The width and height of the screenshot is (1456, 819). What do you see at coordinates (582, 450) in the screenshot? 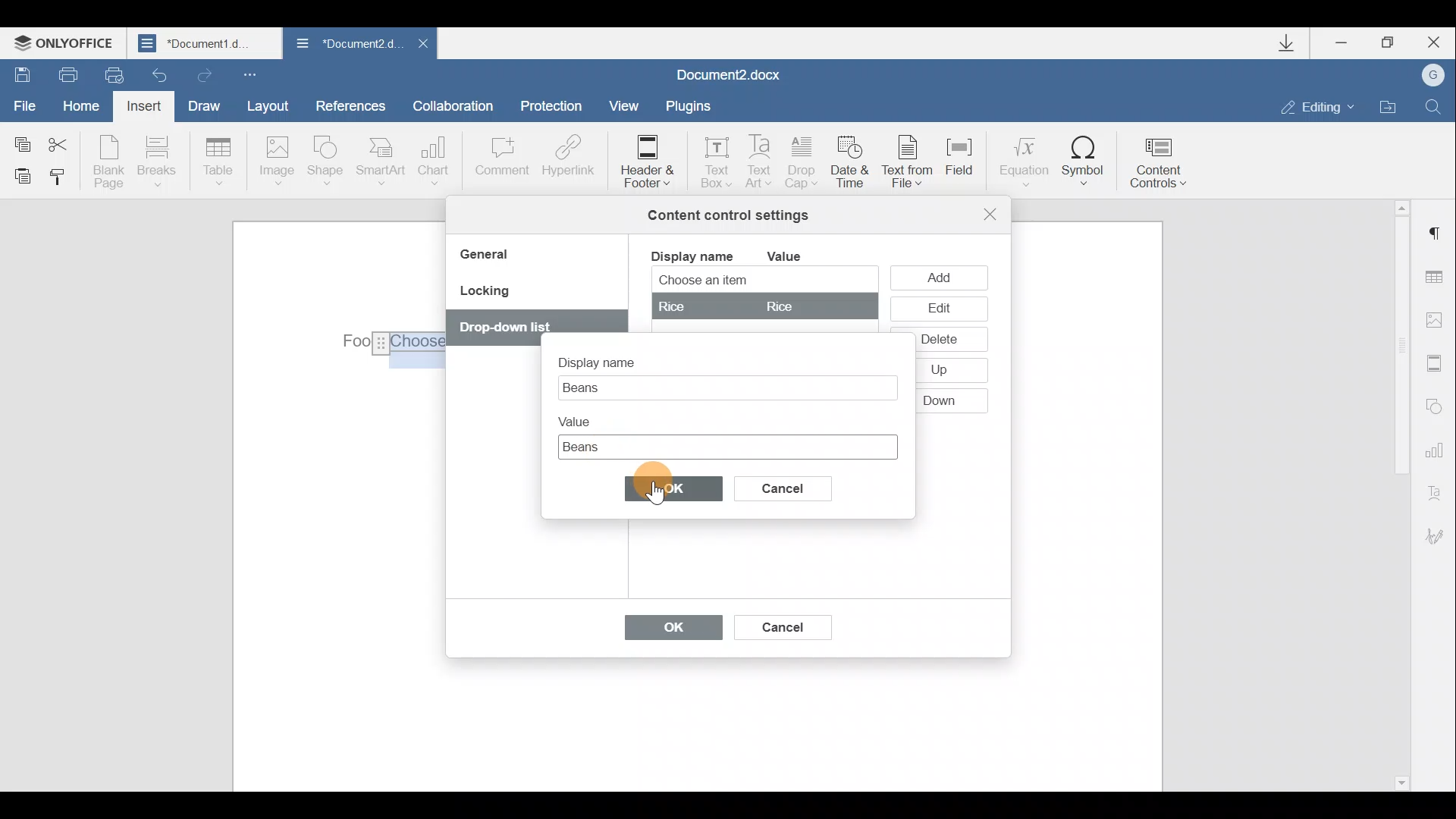
I see `Cursor` at bounding box center [582, 450].